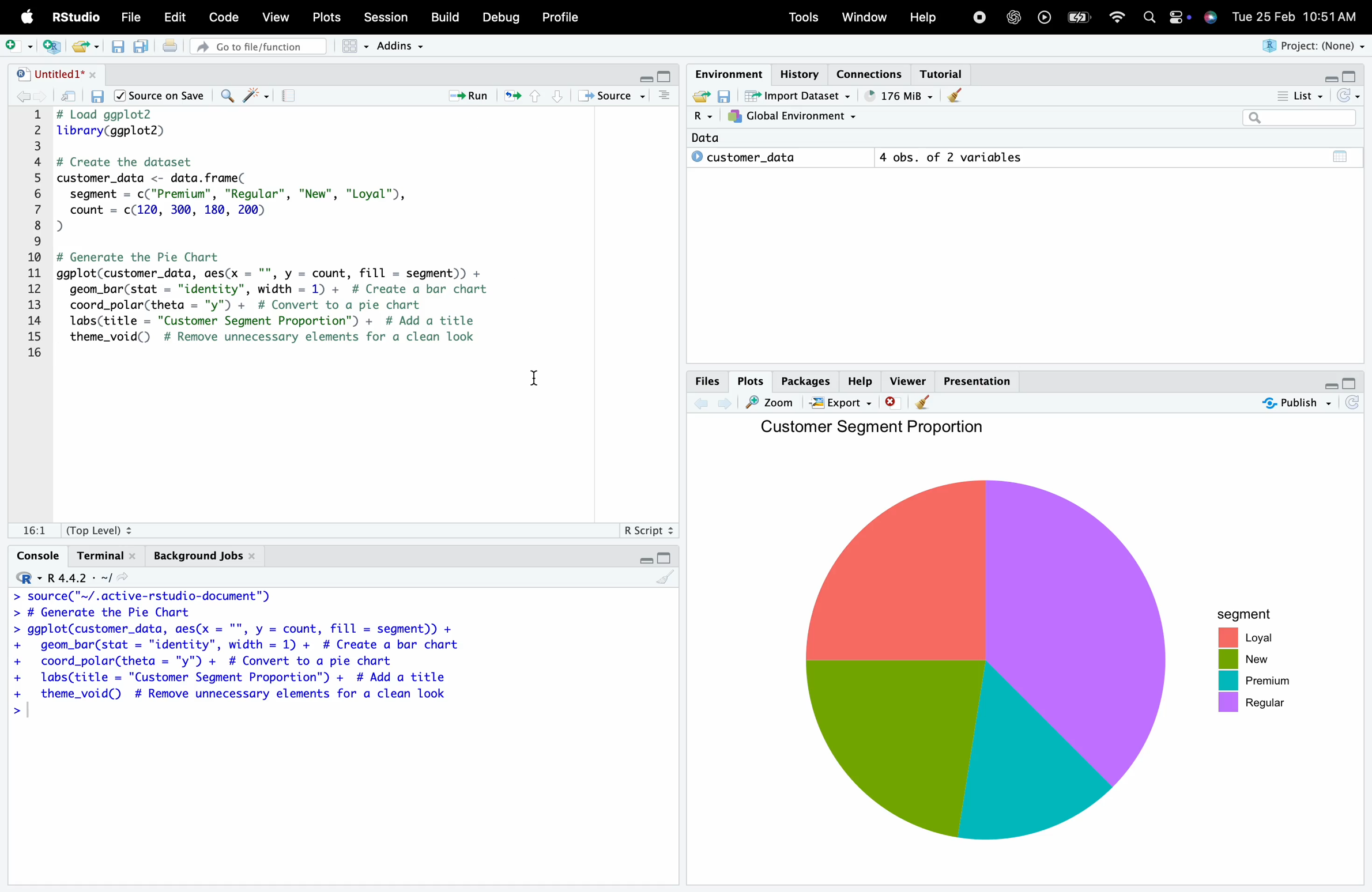 The width and height of the screenshot is (1372, 892). Describe the element at coordinates (1295, 95) in the screenshot. I see `List` at that location.